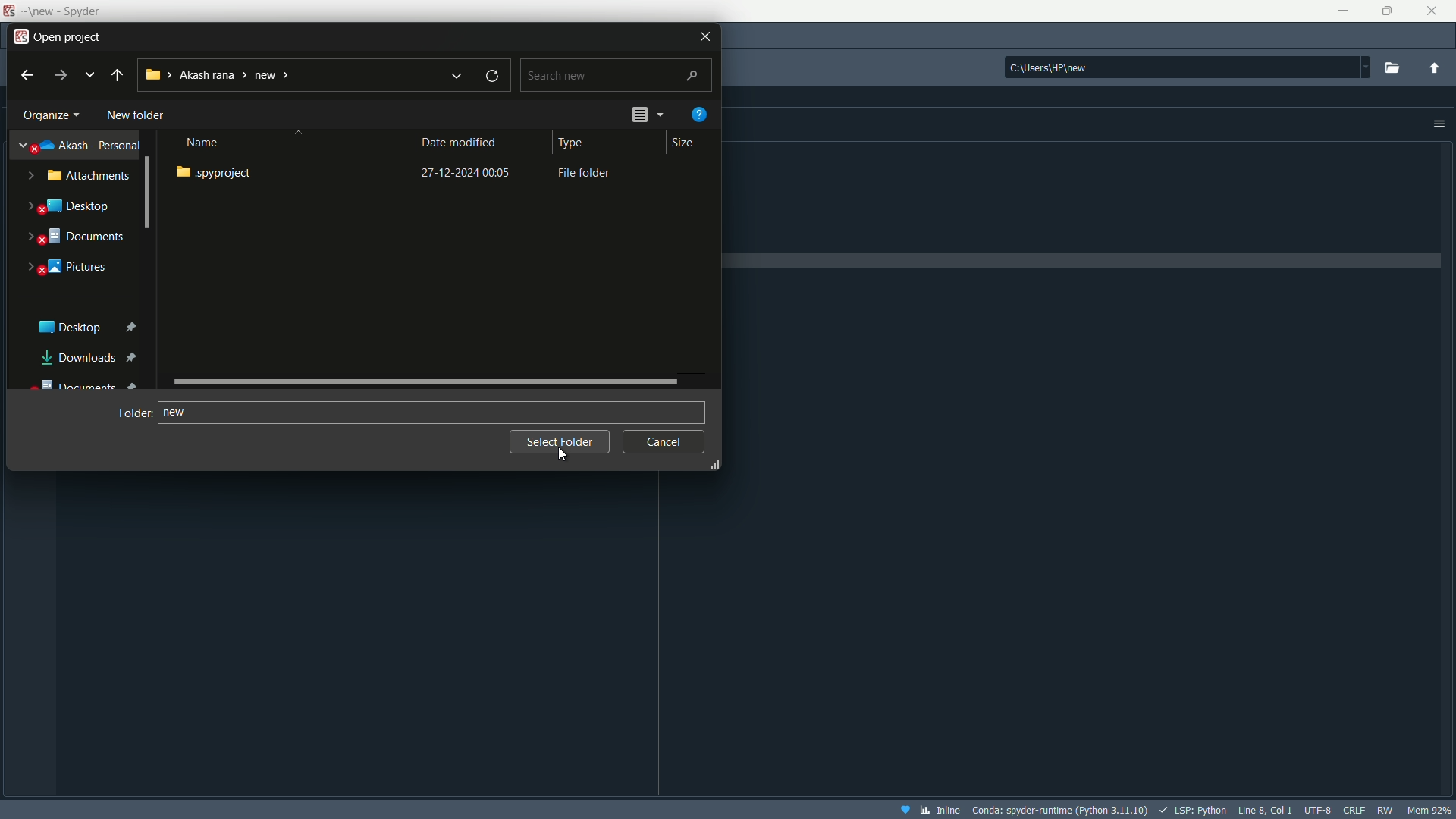 This screenshot has height=819, width=1456. Describe the element at coordinates (1432, 10) in the screenshot. I see `close ` at that location.